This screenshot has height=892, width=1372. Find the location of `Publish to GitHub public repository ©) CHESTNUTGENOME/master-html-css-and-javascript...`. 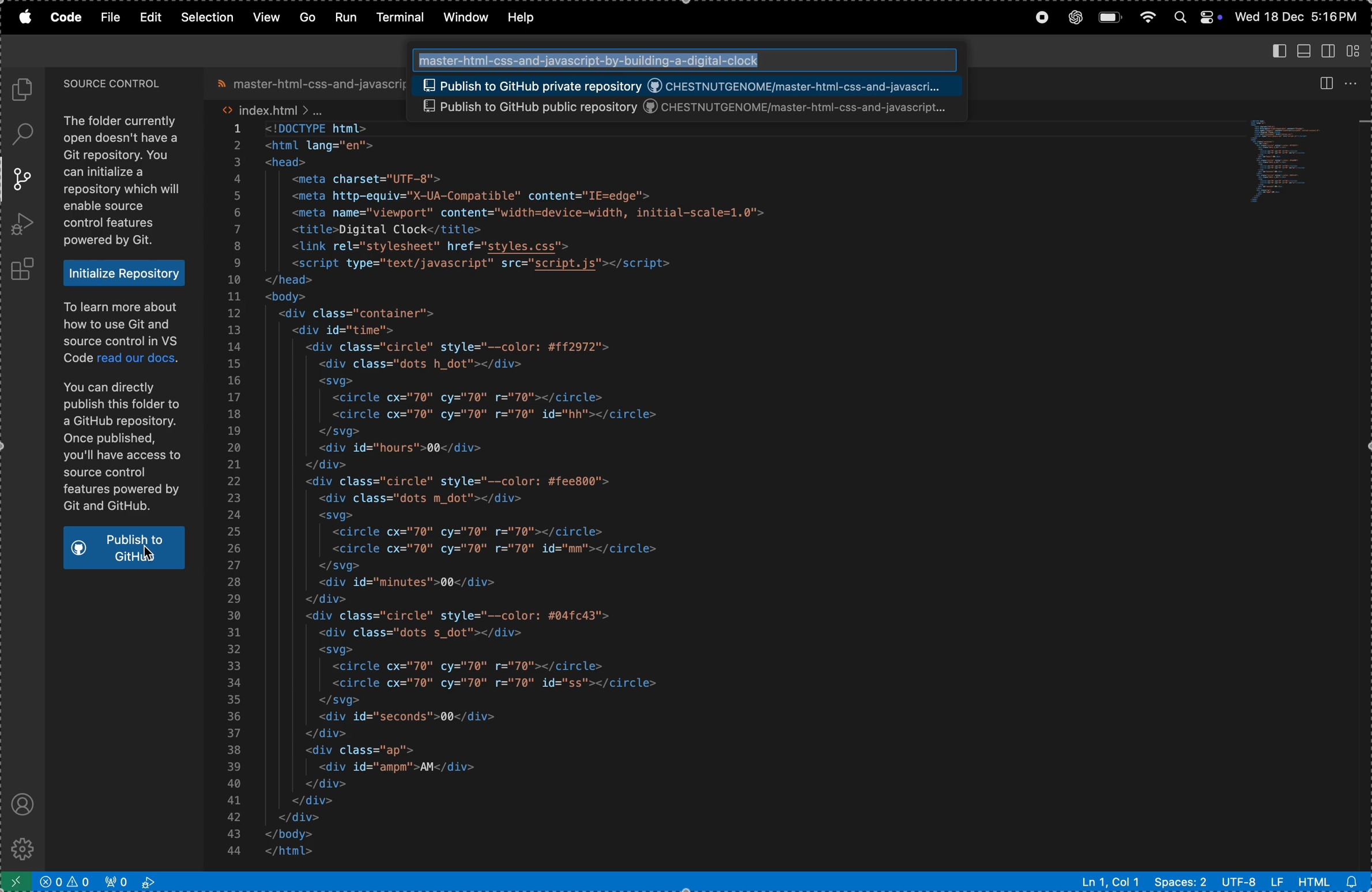

Publish to GitHub public repository ©) CHESTNUTGENOME/master-html-css-and-javascript... is located at coordinates (682, 85).